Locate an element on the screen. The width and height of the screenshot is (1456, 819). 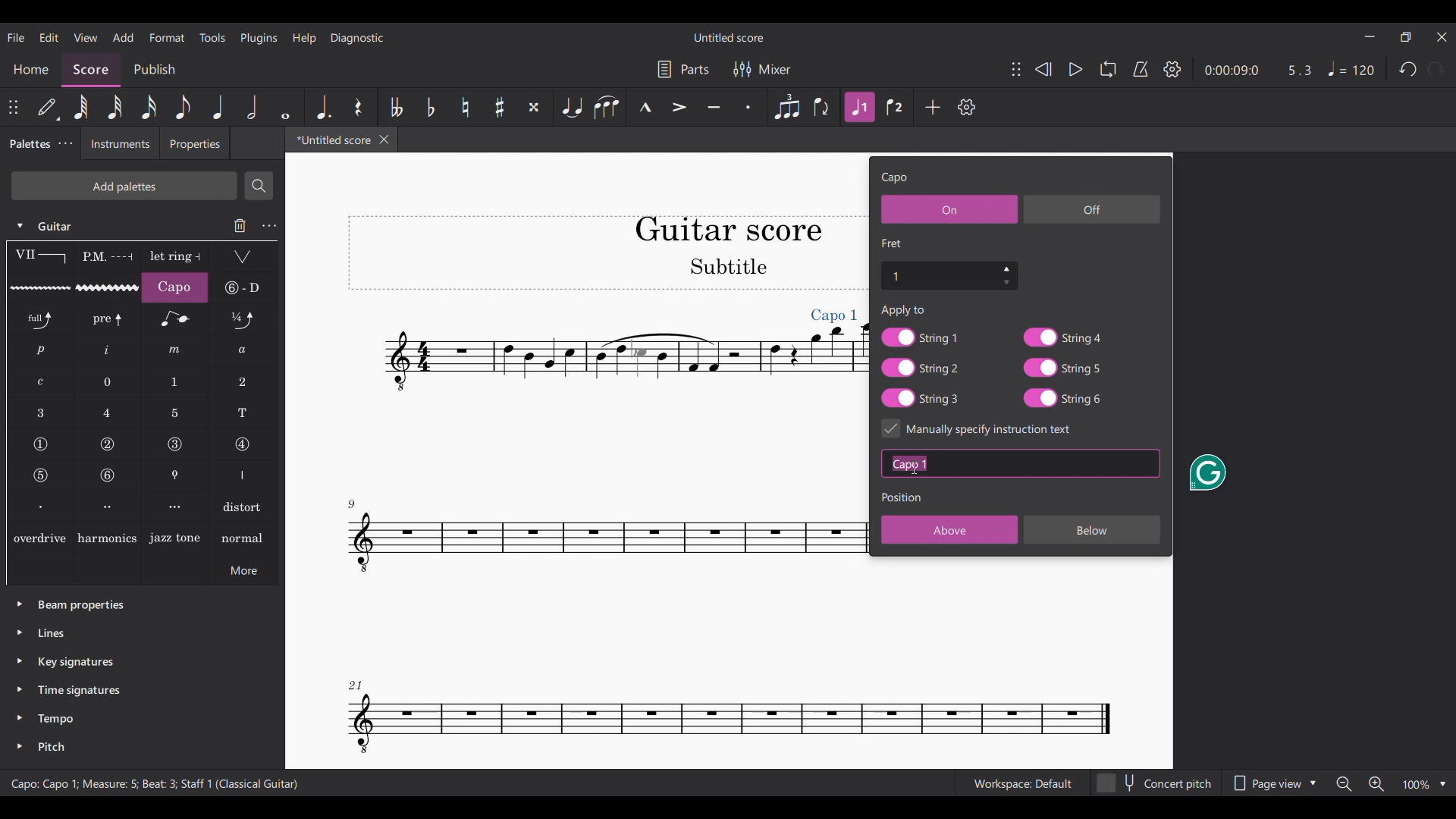
Text is located at coordinates (904, 310).